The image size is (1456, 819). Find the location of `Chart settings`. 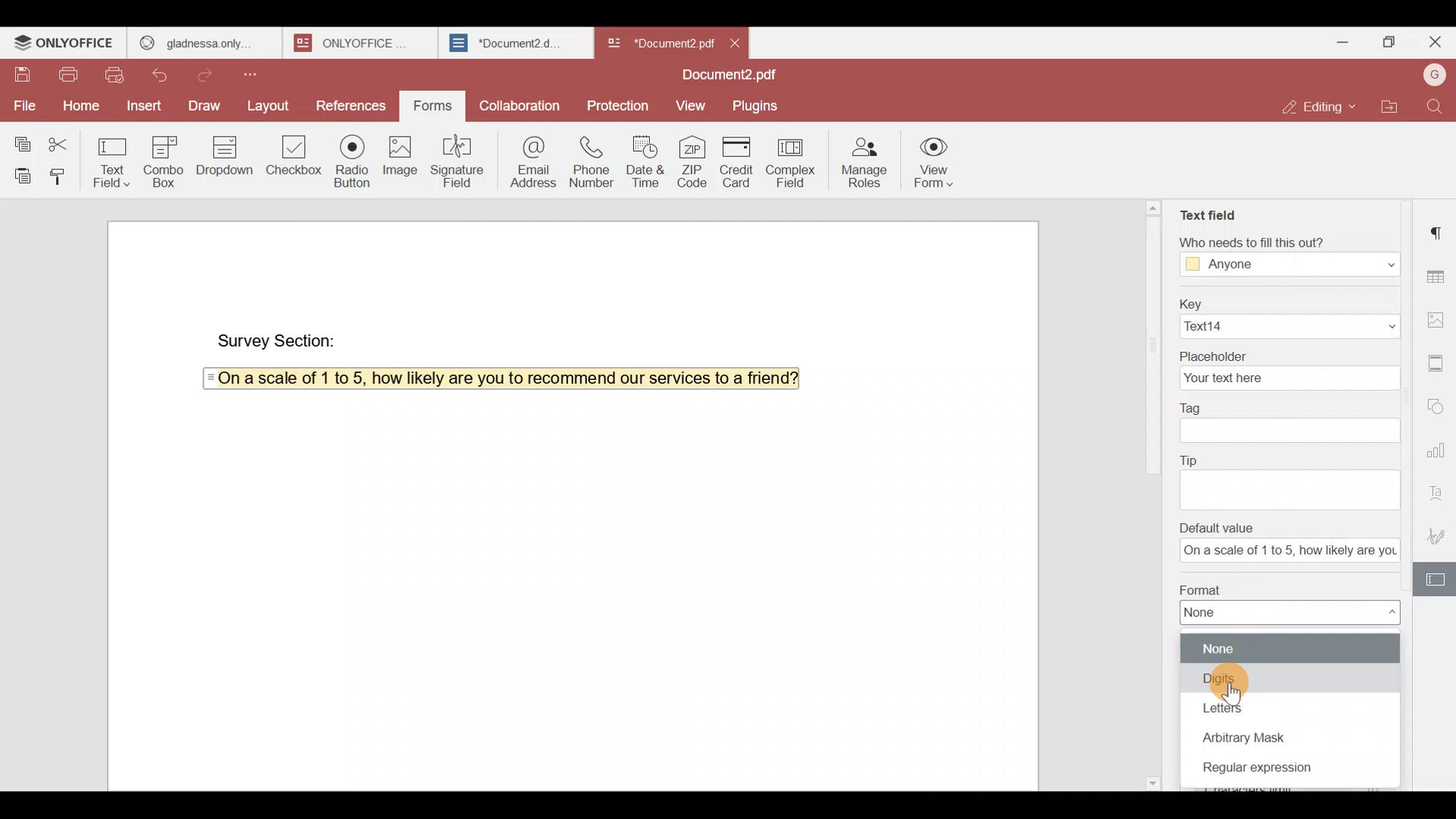

Chart settings is located at coordinates (1438, 450).